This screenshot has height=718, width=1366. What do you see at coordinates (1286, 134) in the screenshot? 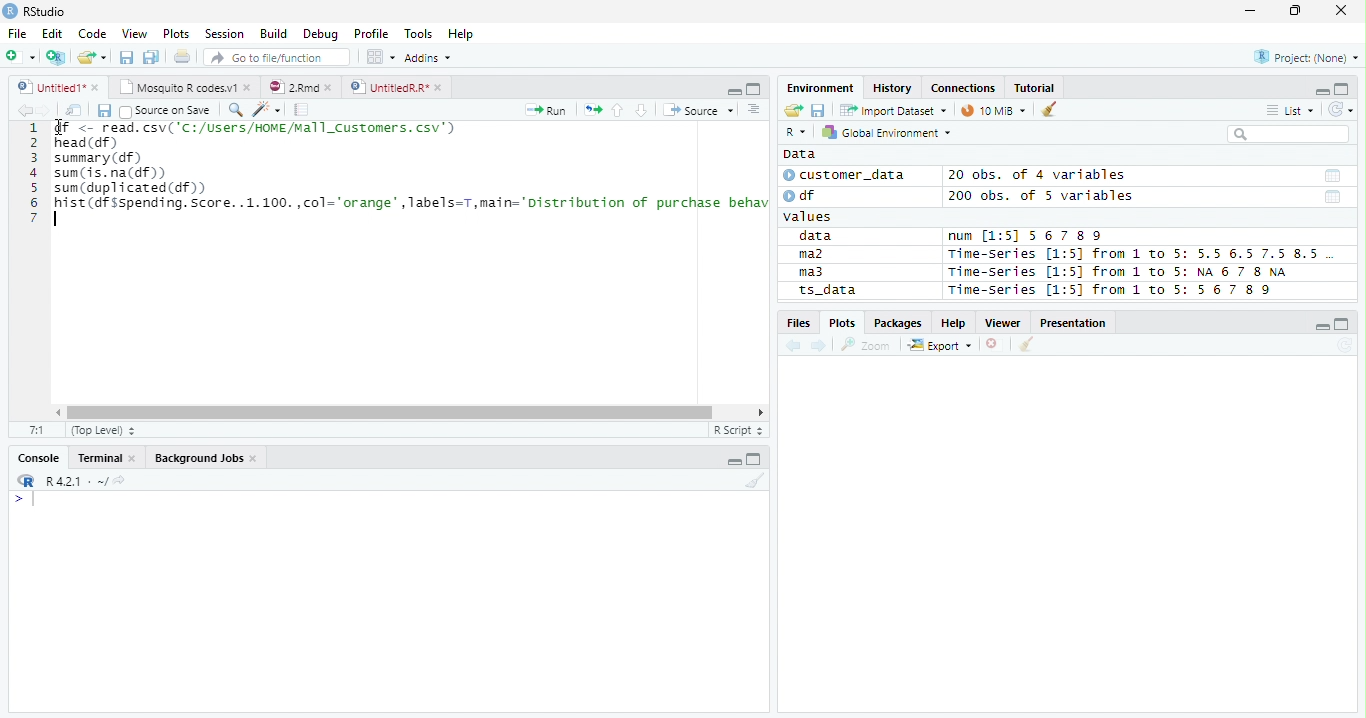
I see `Search` at bounding box center [1286, 134].